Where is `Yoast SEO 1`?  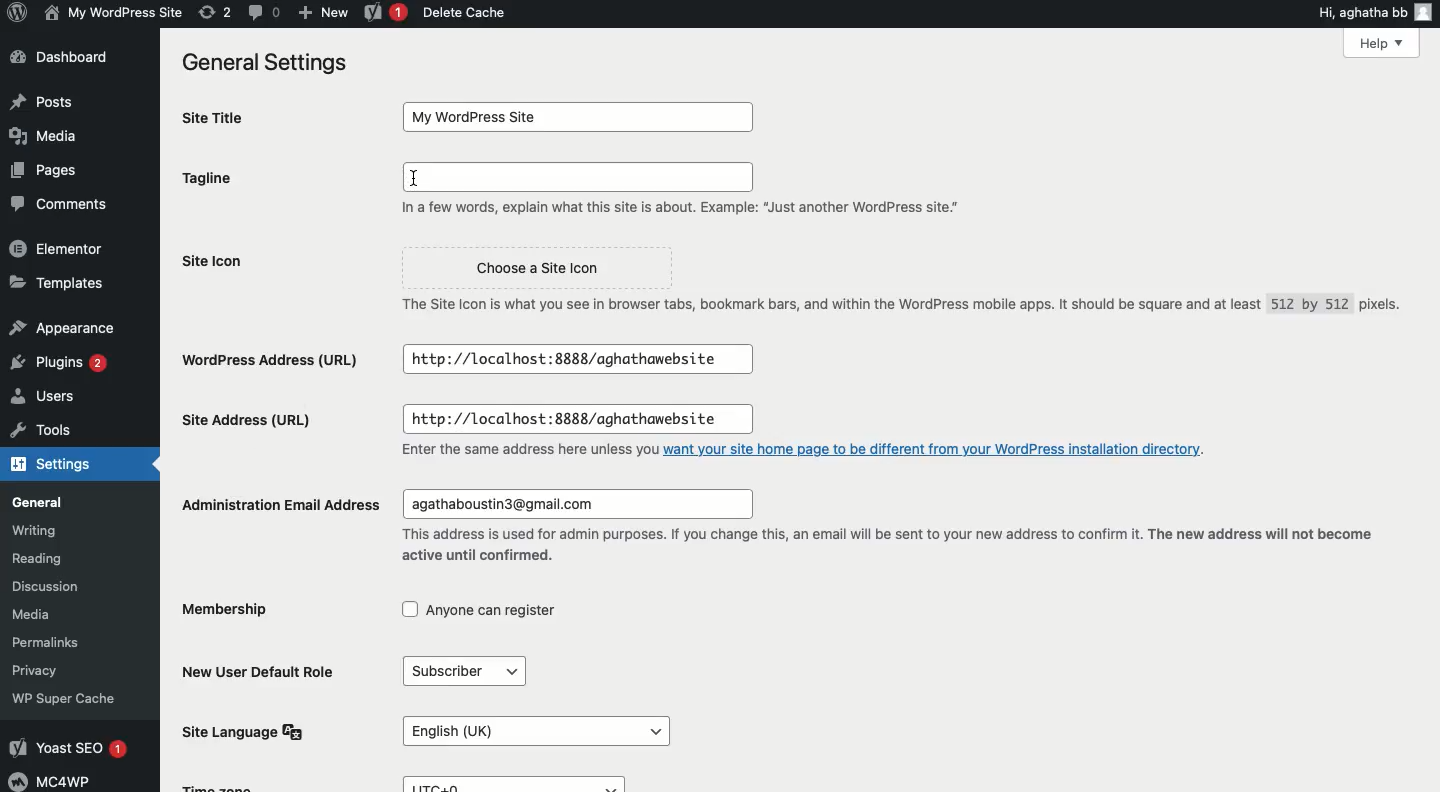
Yoast SEO 1 is located at coordinates (75, 746).